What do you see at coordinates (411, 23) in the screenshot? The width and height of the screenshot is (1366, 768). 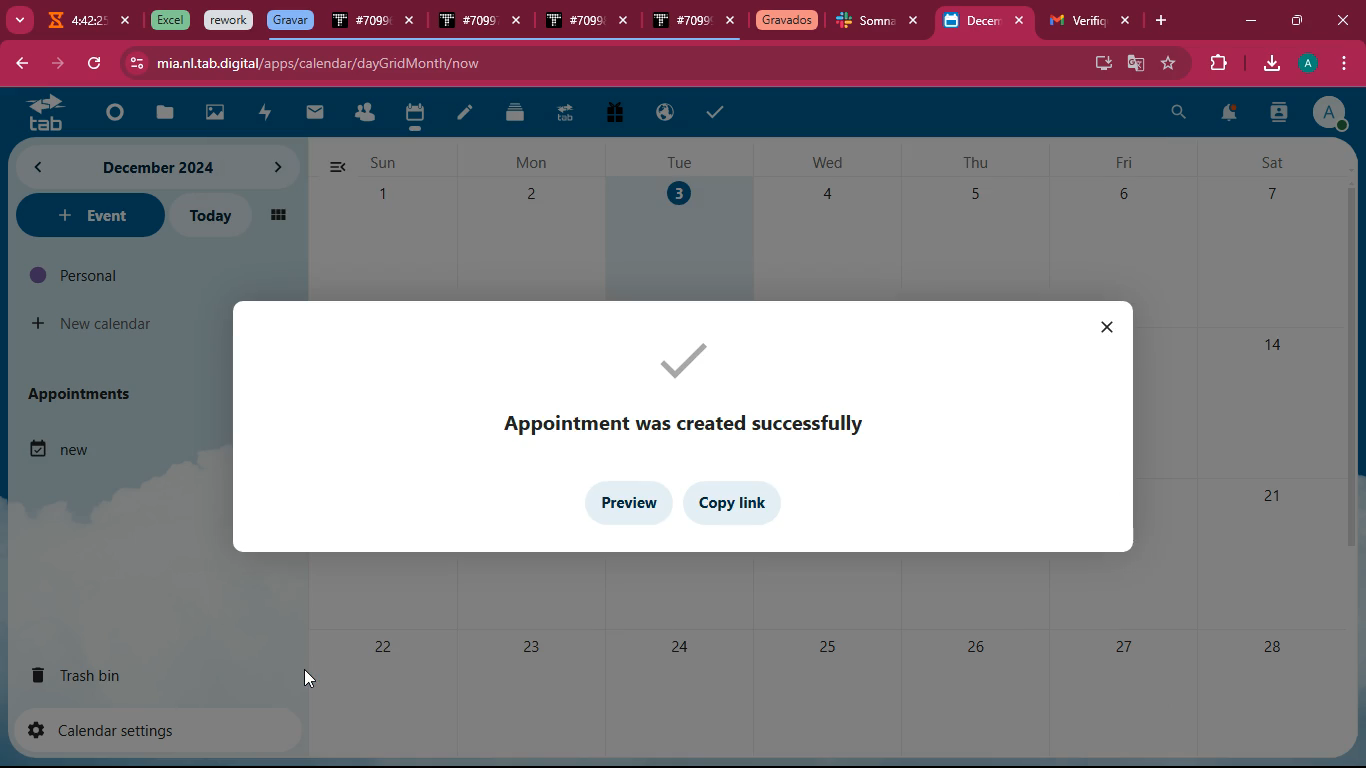 I see `close` at bounding box center [411, 23].